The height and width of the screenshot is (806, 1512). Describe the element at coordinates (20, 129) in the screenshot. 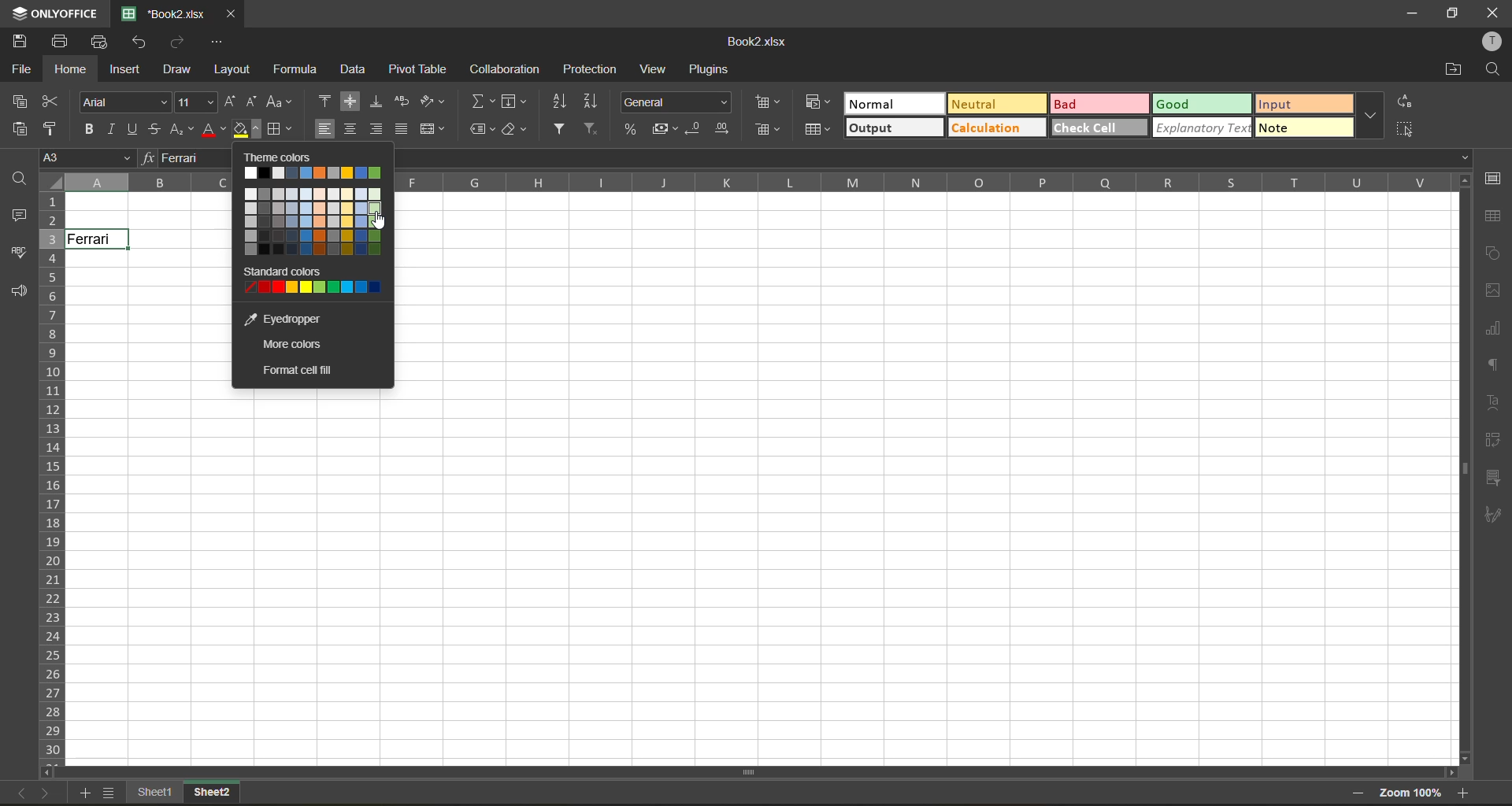

I see `paste` at that location.